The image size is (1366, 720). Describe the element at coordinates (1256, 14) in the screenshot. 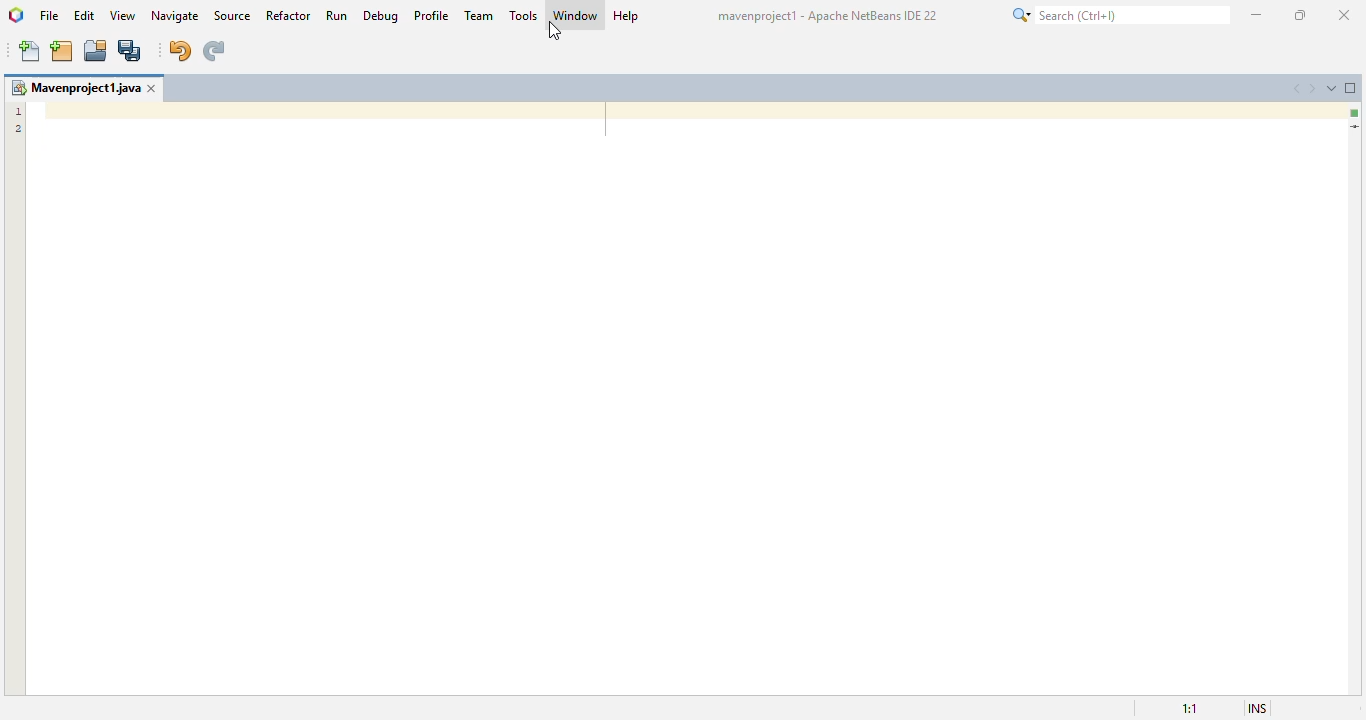

I see `minimize` at that location.